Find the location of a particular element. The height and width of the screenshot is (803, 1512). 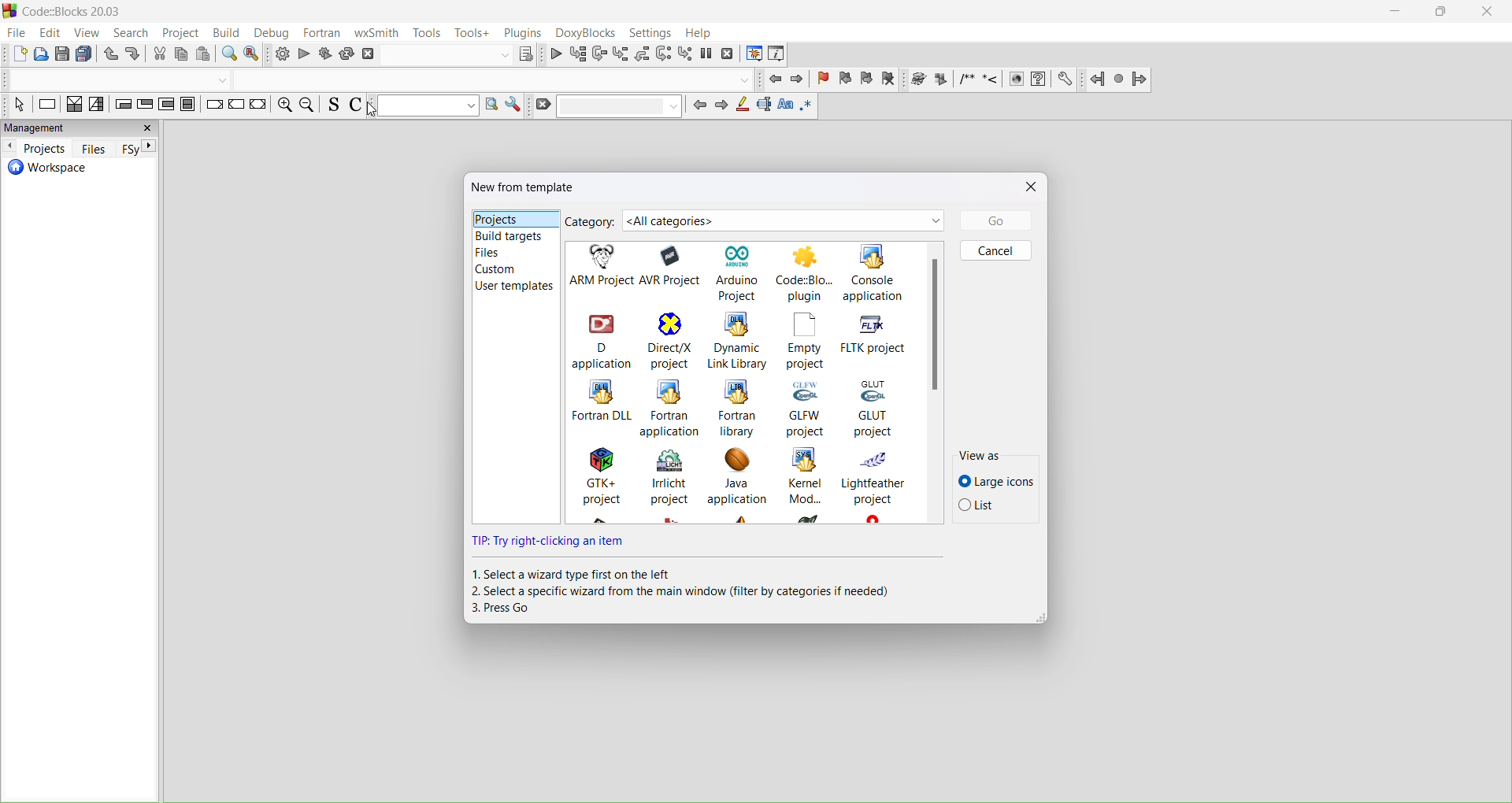

stop debugger is located at coordinates (729, 54).